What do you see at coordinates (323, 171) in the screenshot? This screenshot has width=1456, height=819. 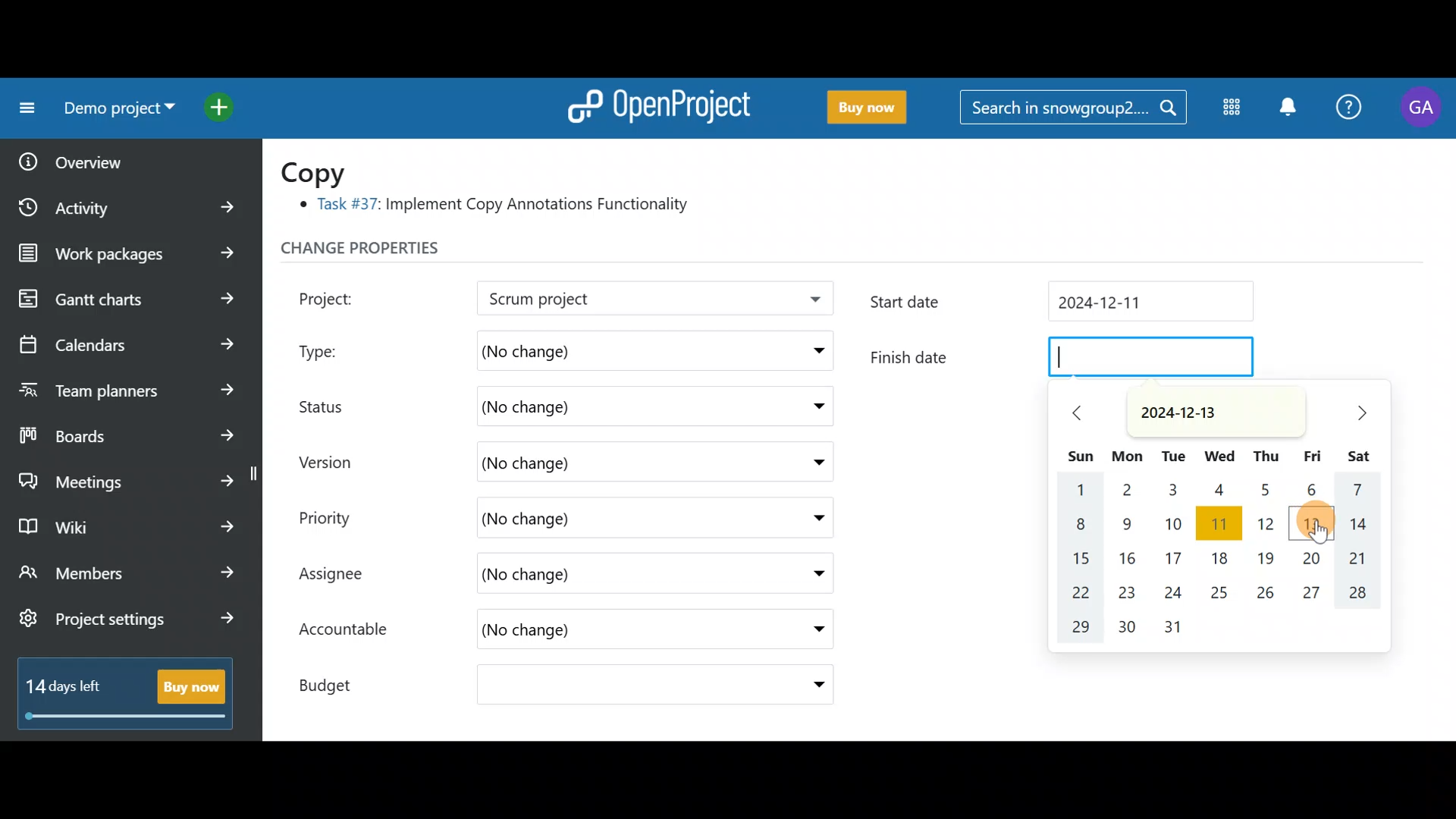 I see `Copy` at bounding box center [323, 171].